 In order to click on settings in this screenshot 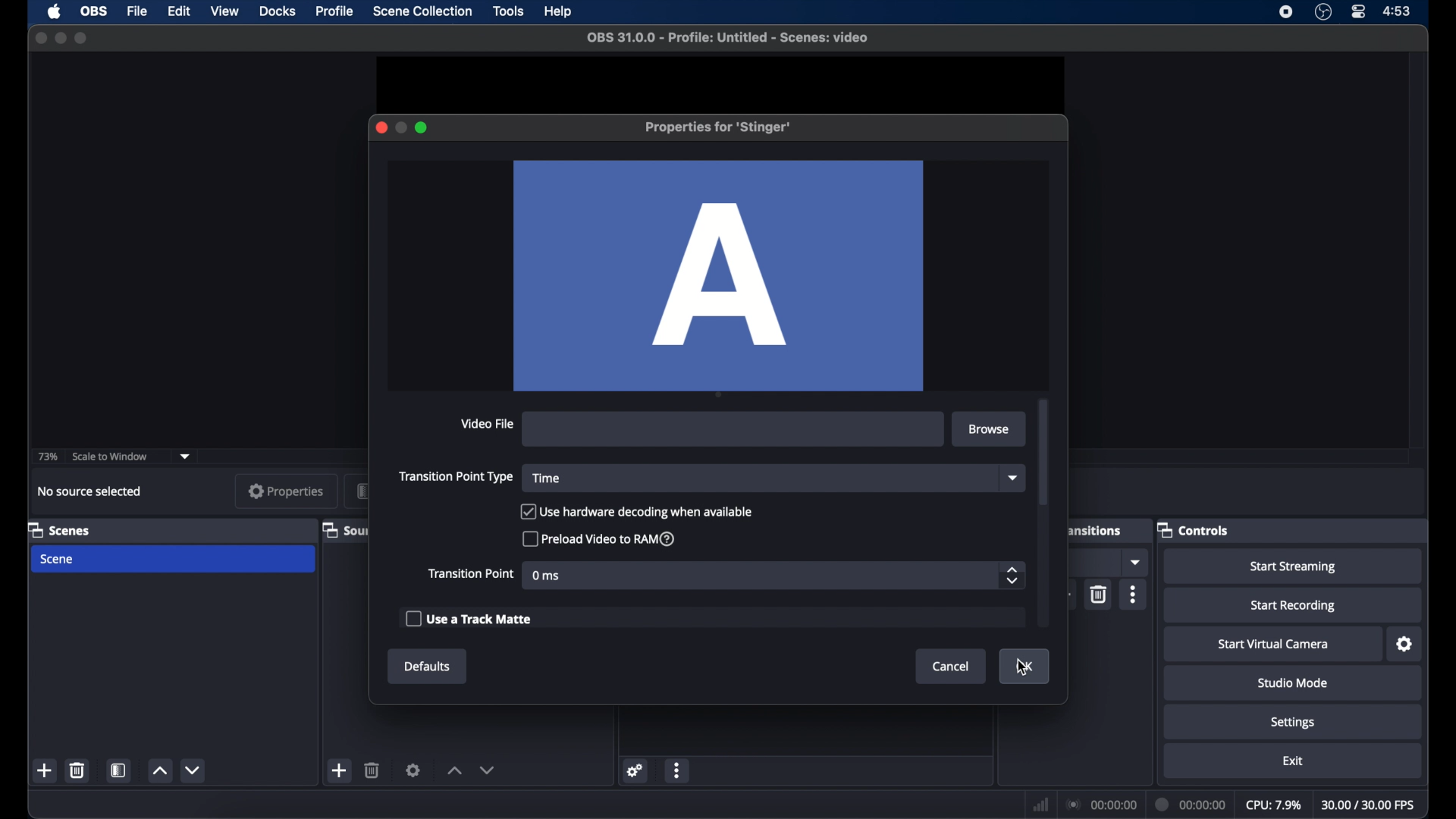, I will do `click(1293, 723)`.